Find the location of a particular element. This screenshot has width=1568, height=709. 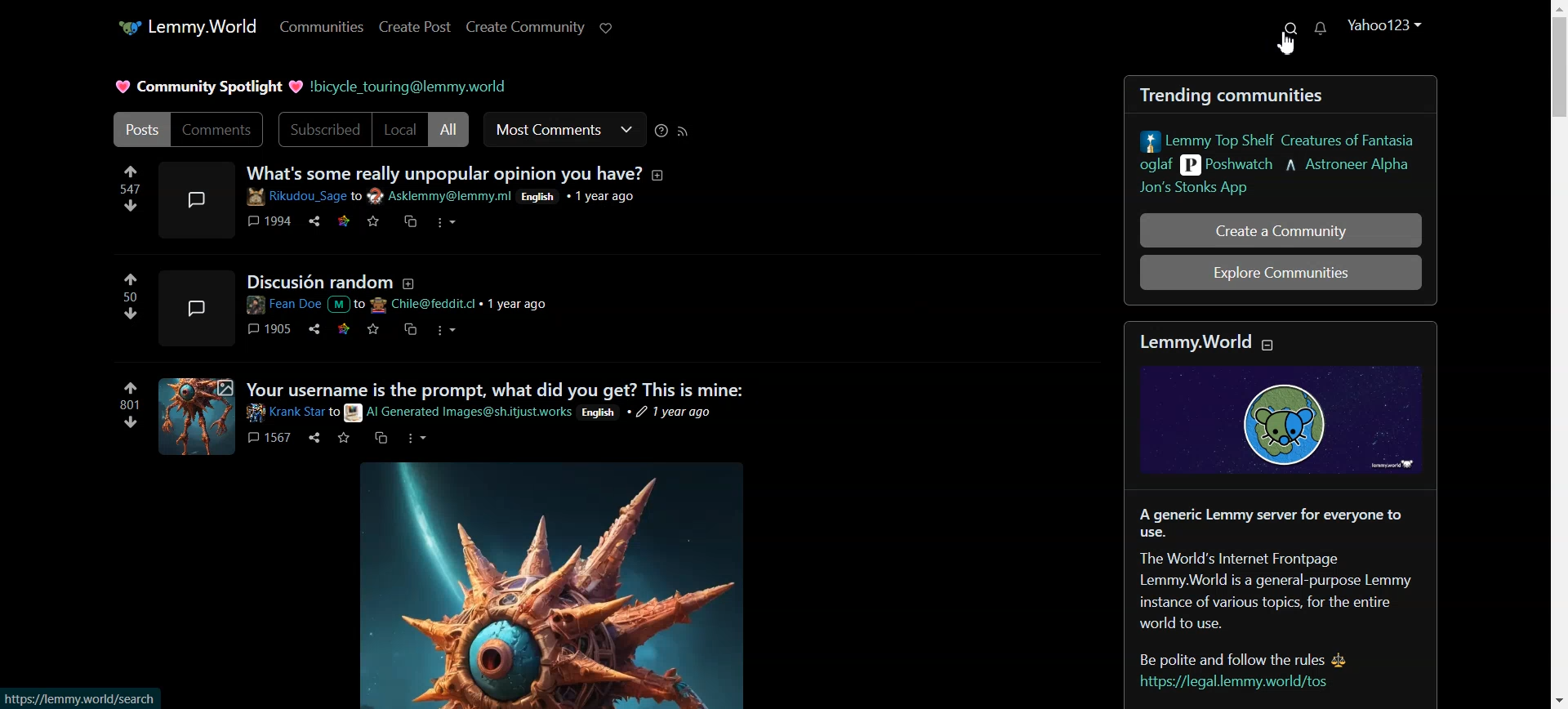

Posts is located at coordinates (140, 129).